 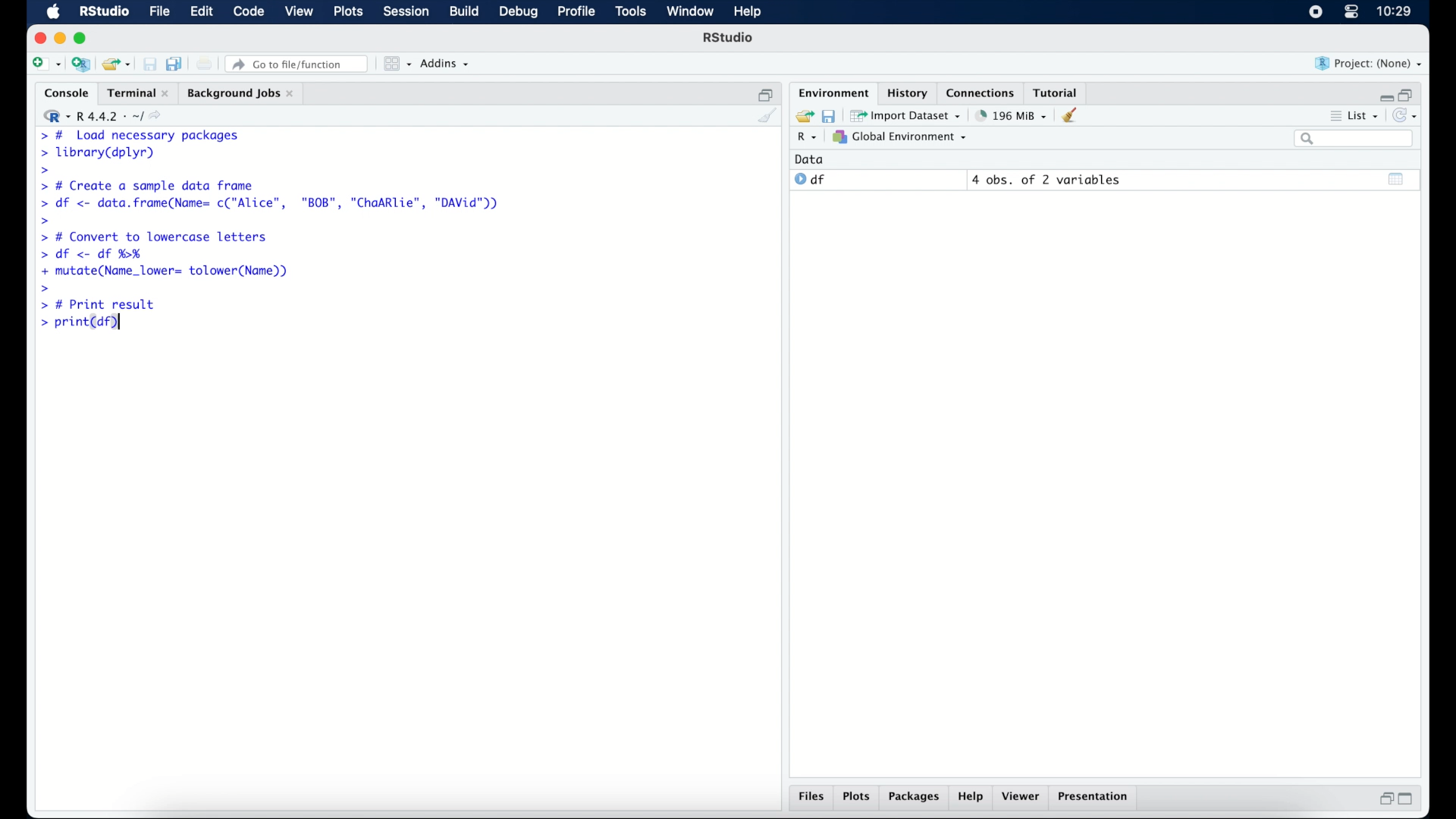 I want to click on project (none), so click(x=1370, y=64).